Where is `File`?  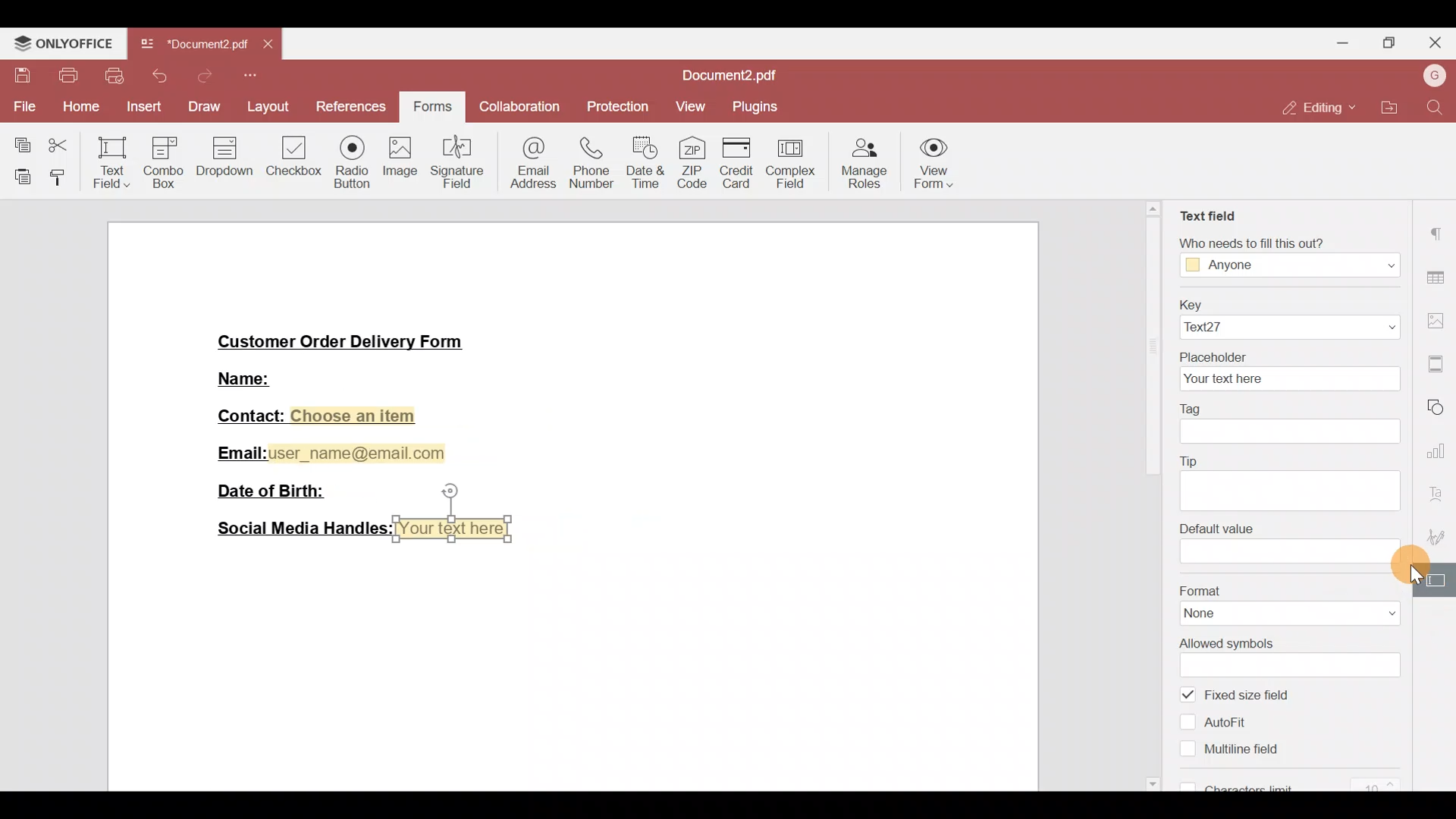
File is located at coordinates (24, 106).